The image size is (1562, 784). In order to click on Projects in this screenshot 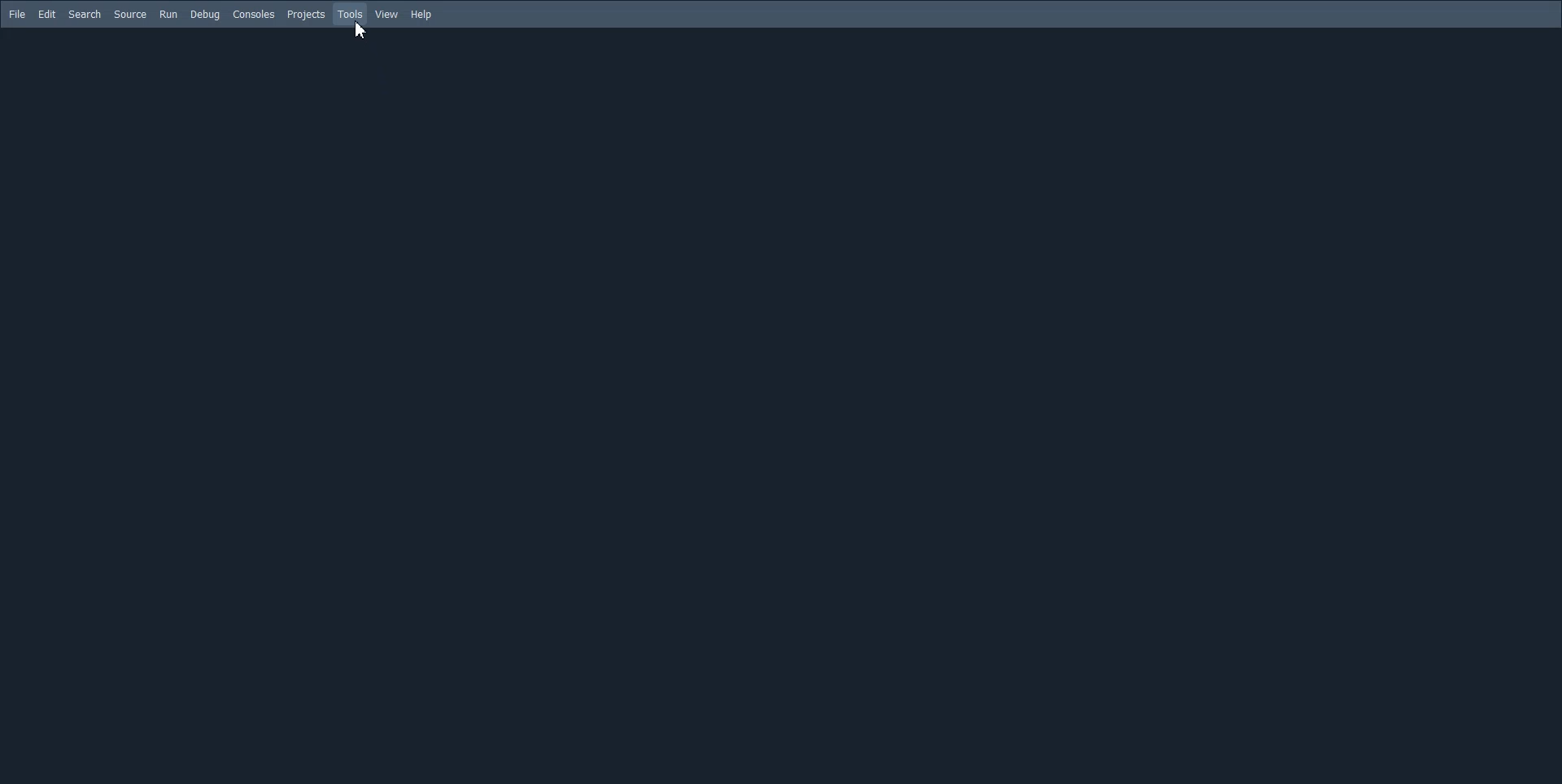, I will do `click(306, 14)`.